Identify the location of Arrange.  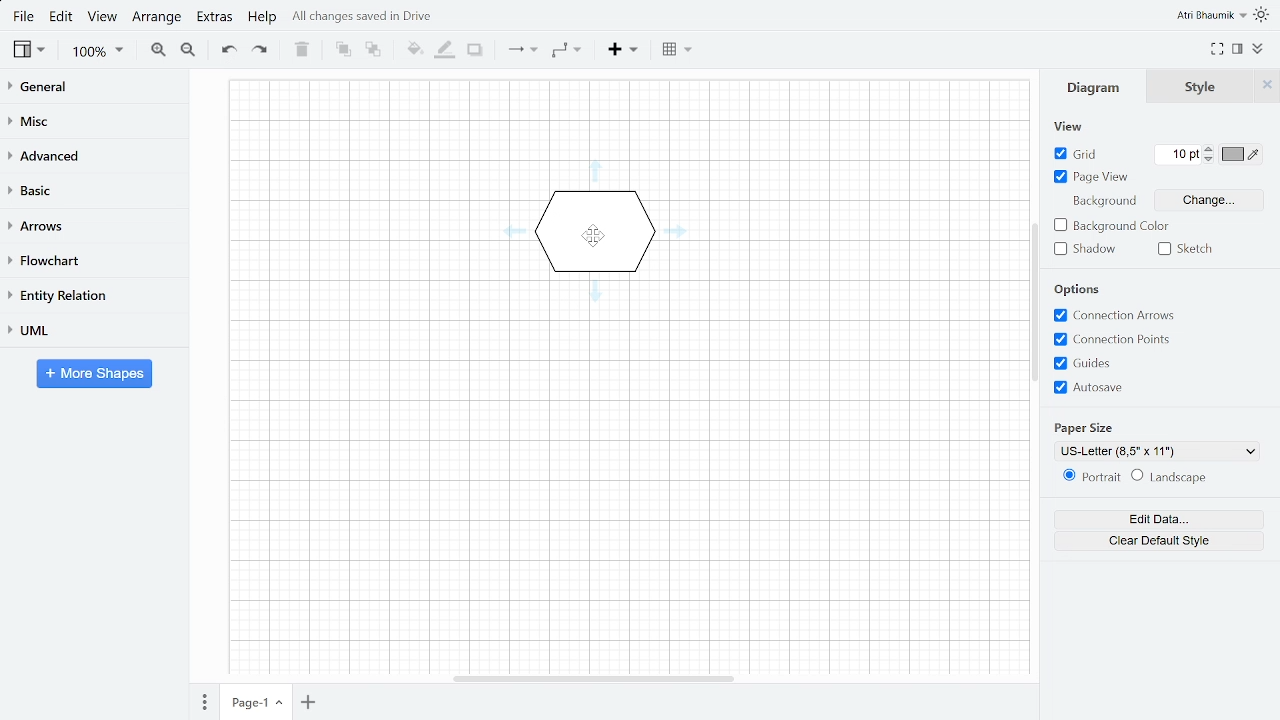
(158, 18).